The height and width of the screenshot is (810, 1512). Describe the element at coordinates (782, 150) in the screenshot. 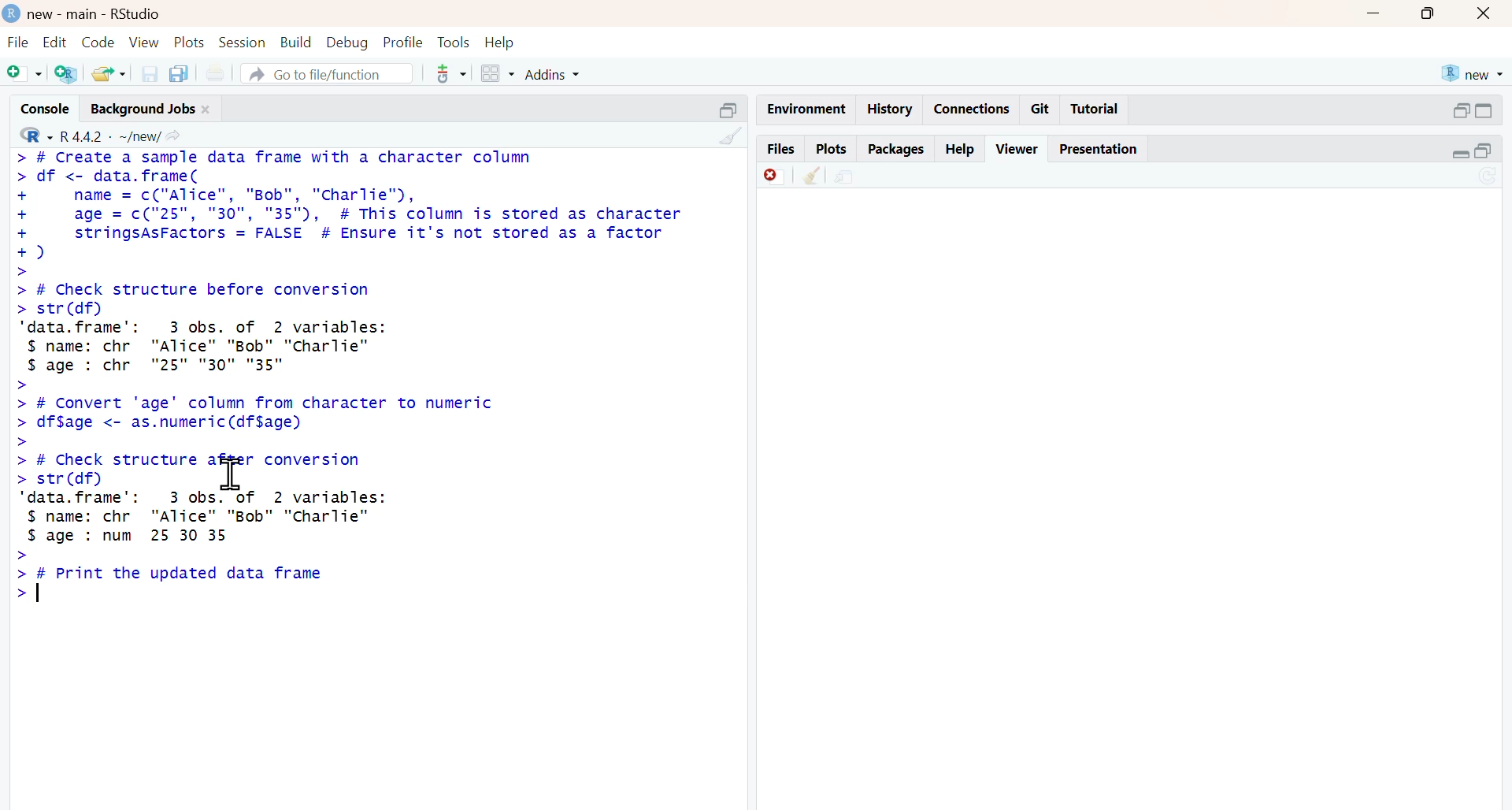

I see `files` at that location.